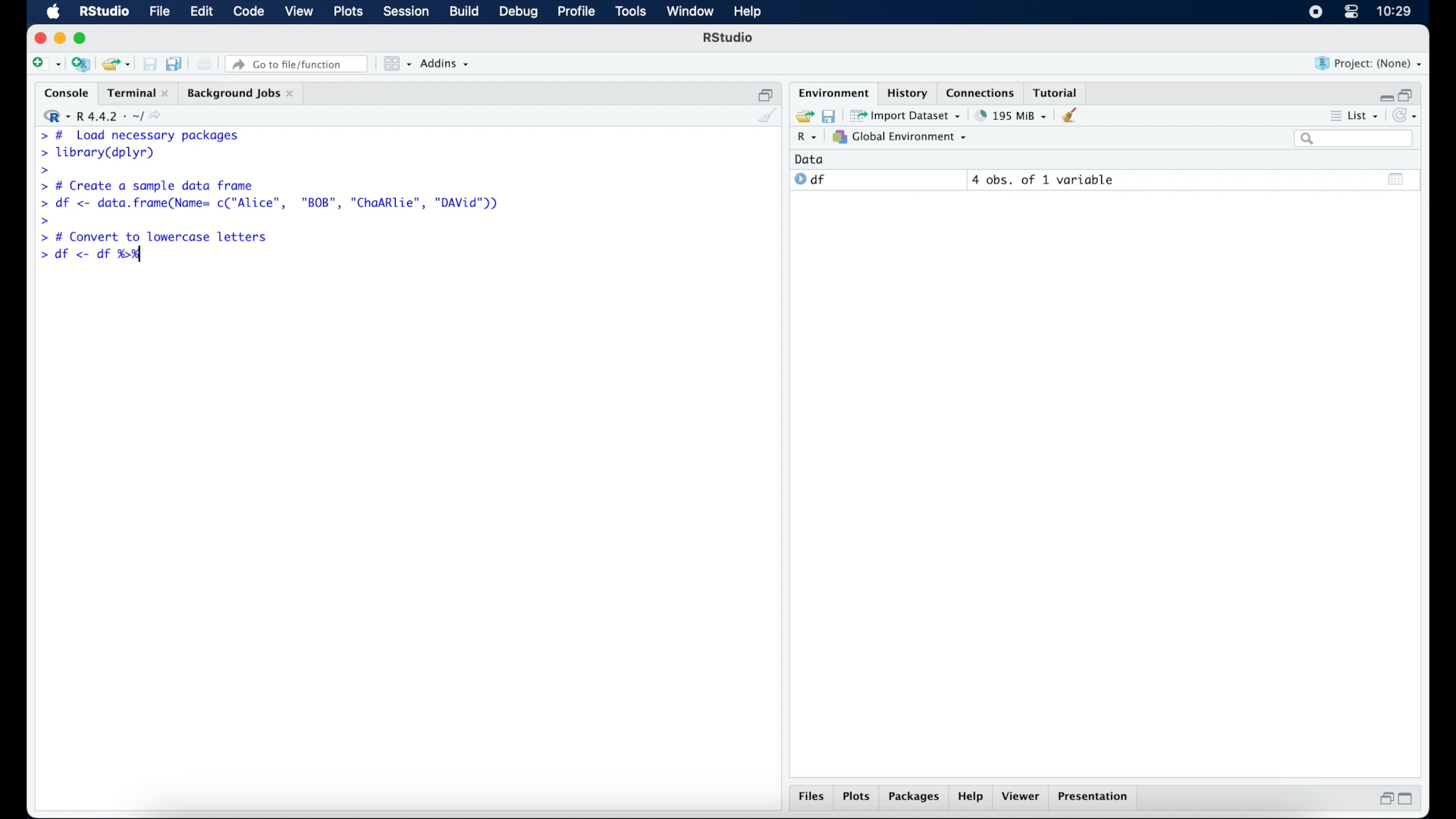  I want to click on 195 MB, so click(1010, 115).